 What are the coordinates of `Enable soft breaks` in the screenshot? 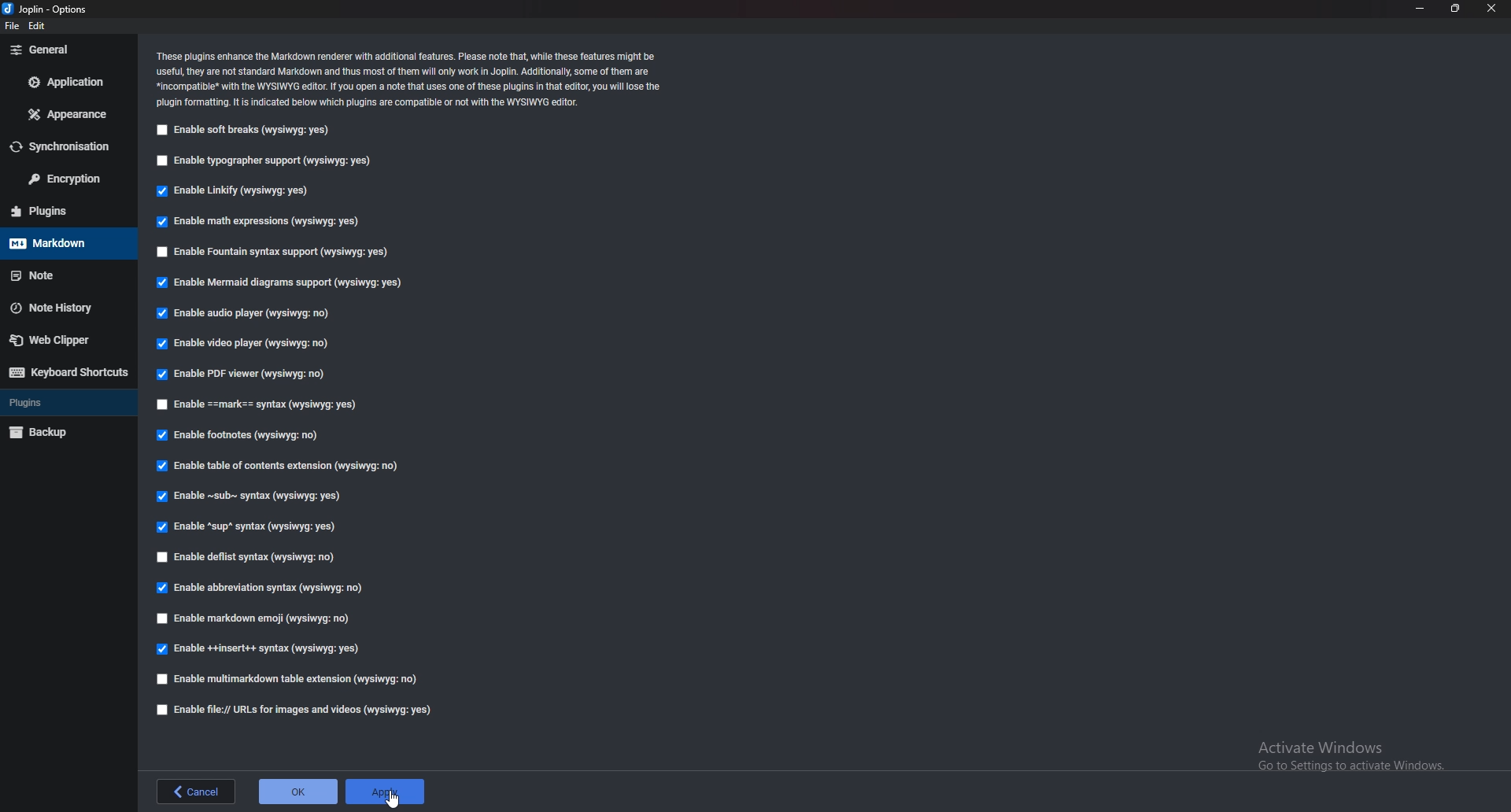 It's located at (245, 129).